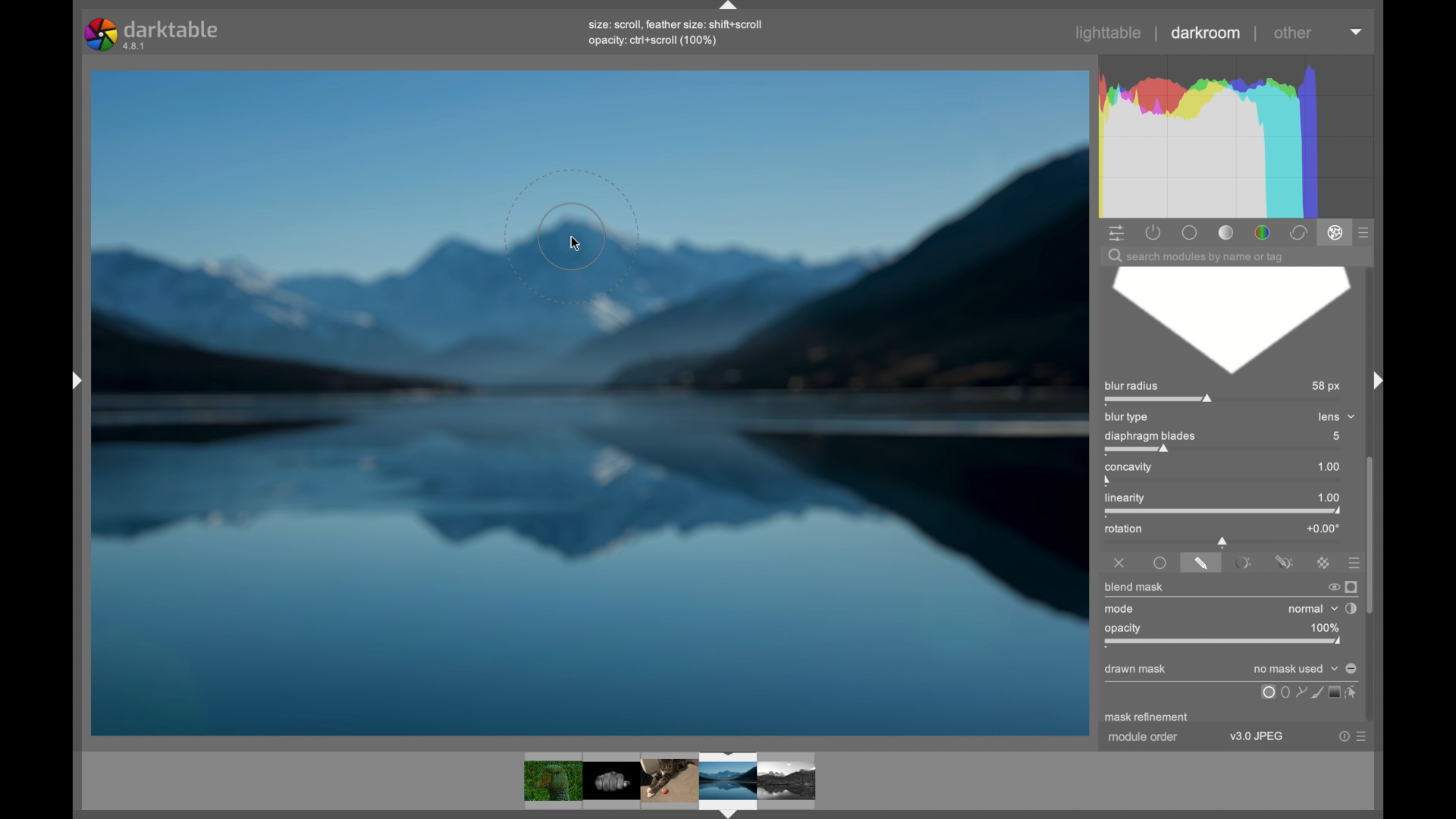 The image size is (1456, 819). I want to click on presets, so click(1365, 232).